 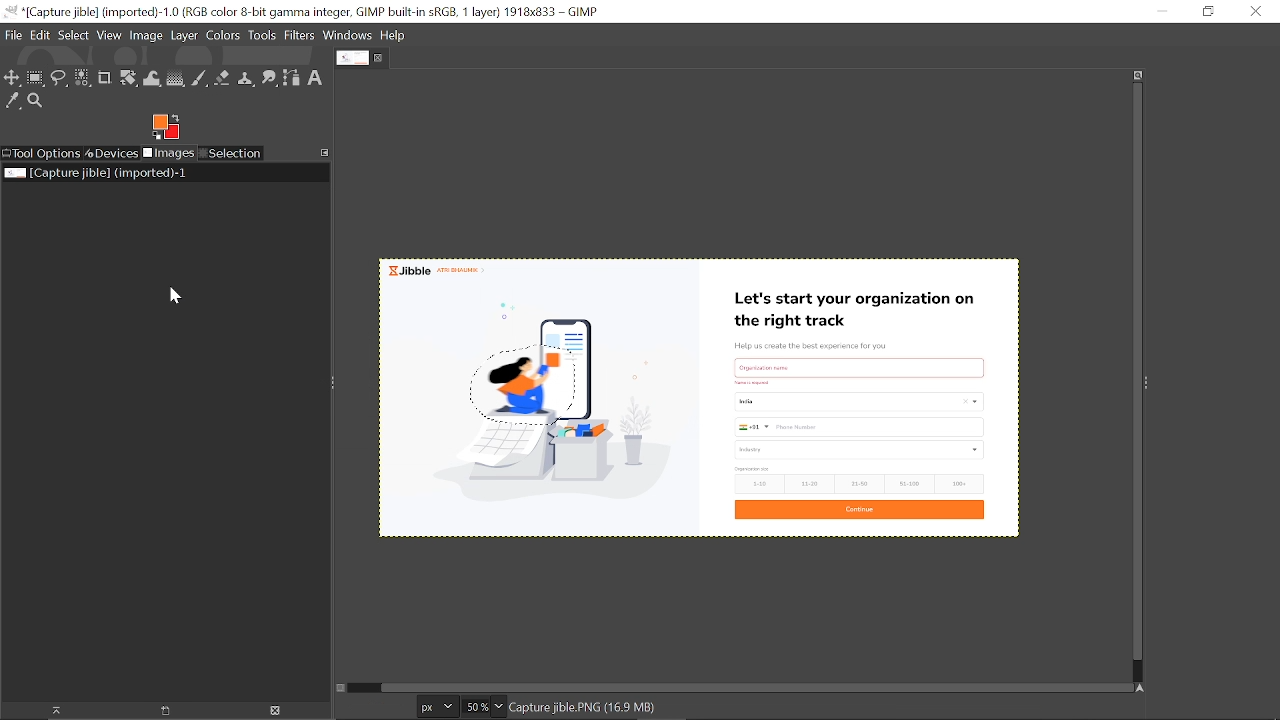 What do you see at coordinates (1256, 11) in the screenshot?
I see `Close` at bounding box center [1256, 11].